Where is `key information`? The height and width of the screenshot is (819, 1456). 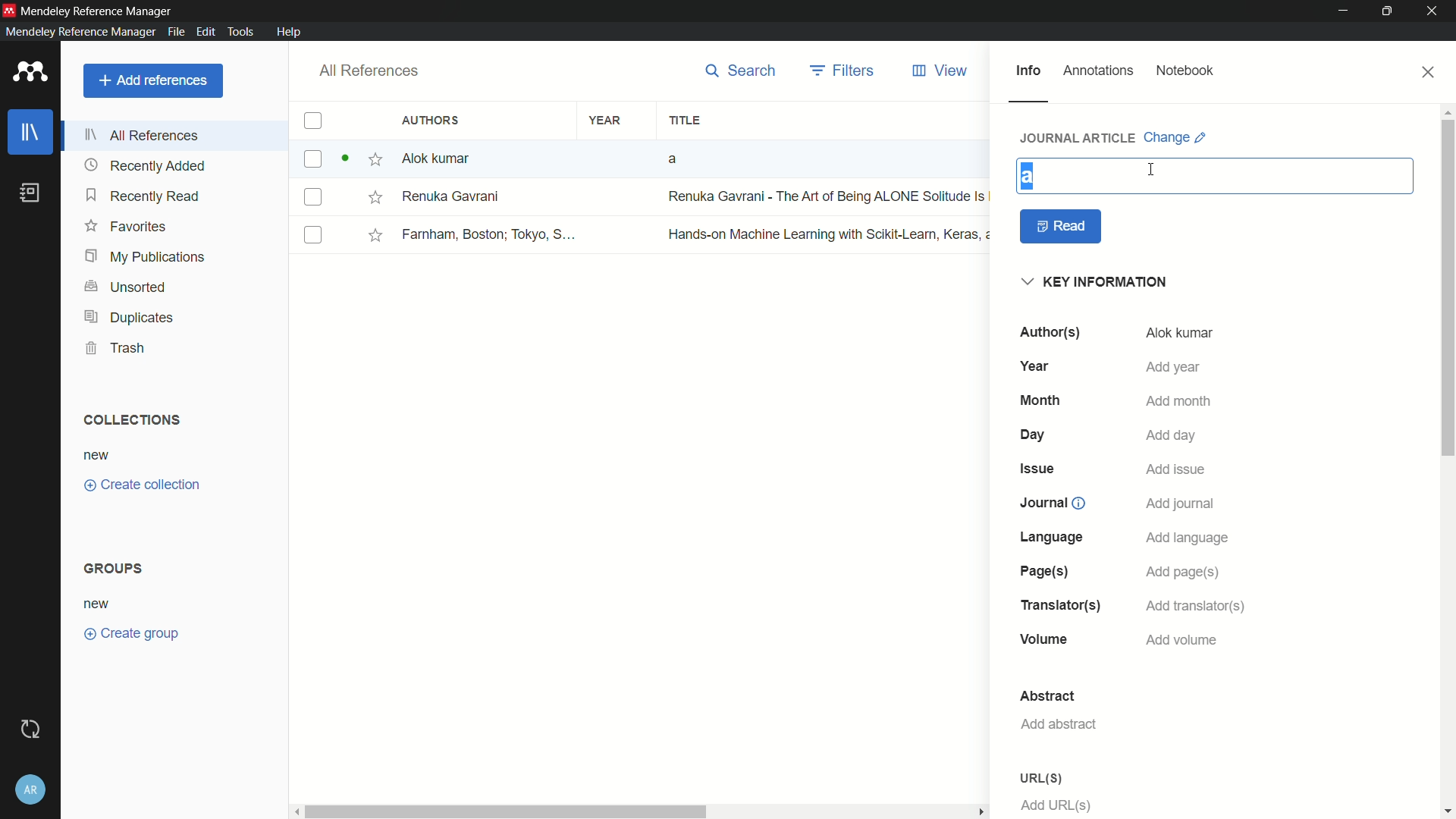
key information is located at coordinates (1097, 283).